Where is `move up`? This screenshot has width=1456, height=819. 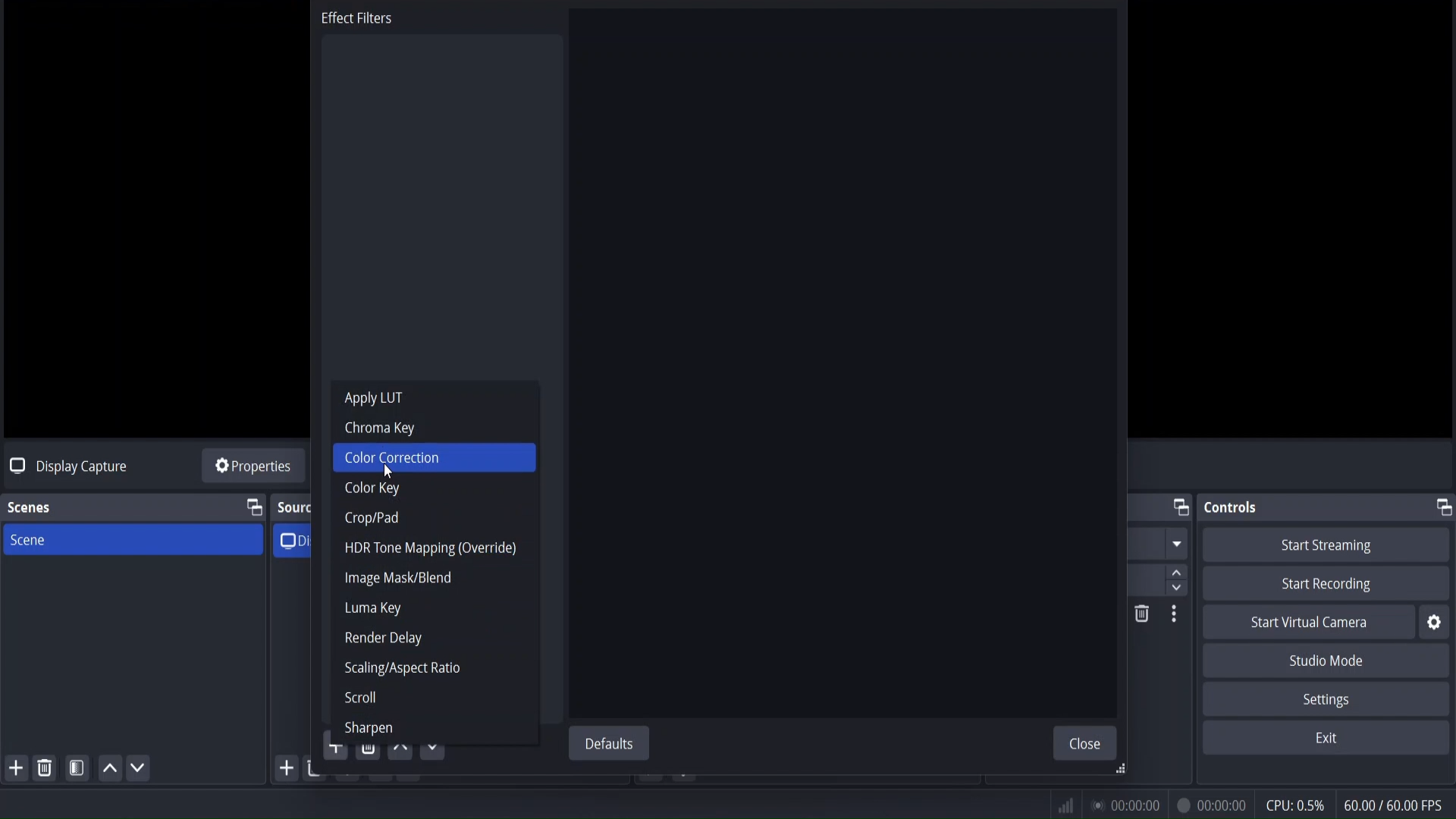 move up is located at coordinates (401, 751).